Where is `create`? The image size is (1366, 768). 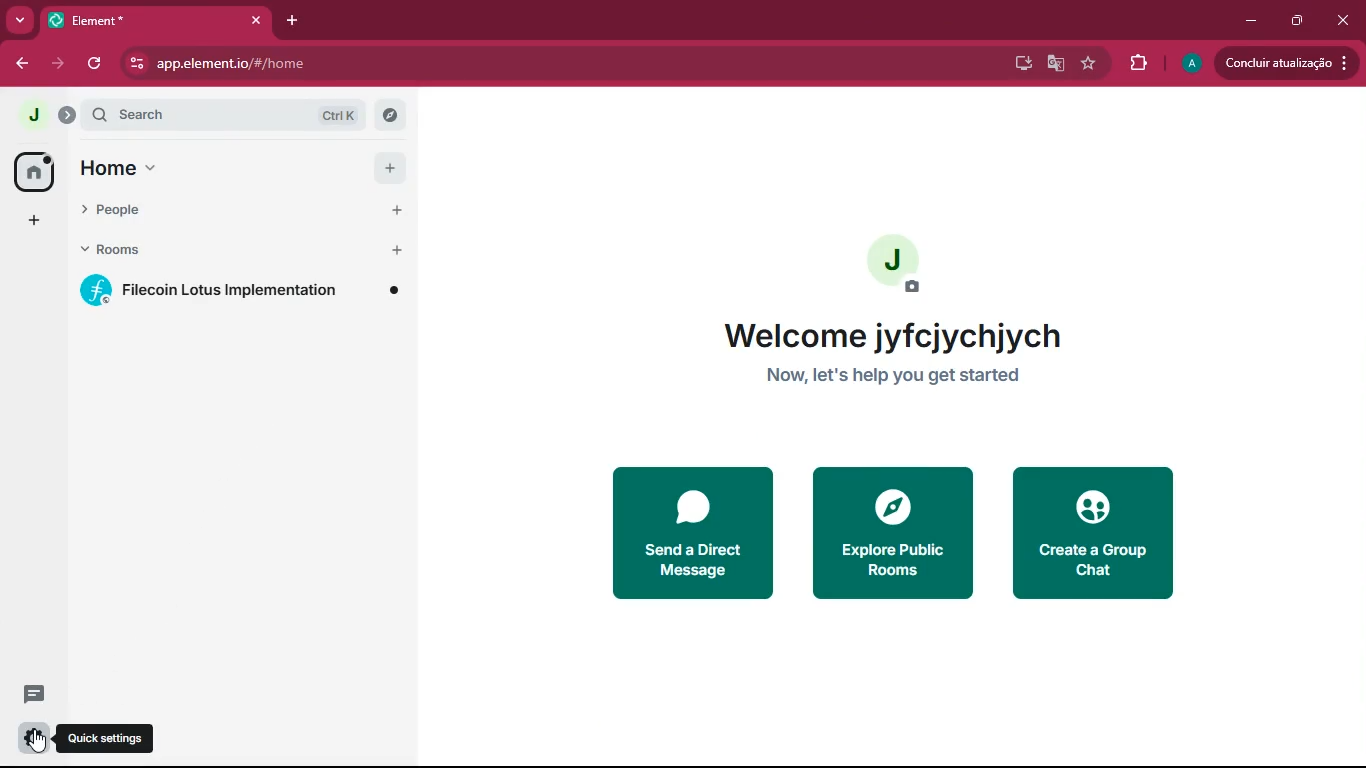 create is located at coordinates (1098, 538).